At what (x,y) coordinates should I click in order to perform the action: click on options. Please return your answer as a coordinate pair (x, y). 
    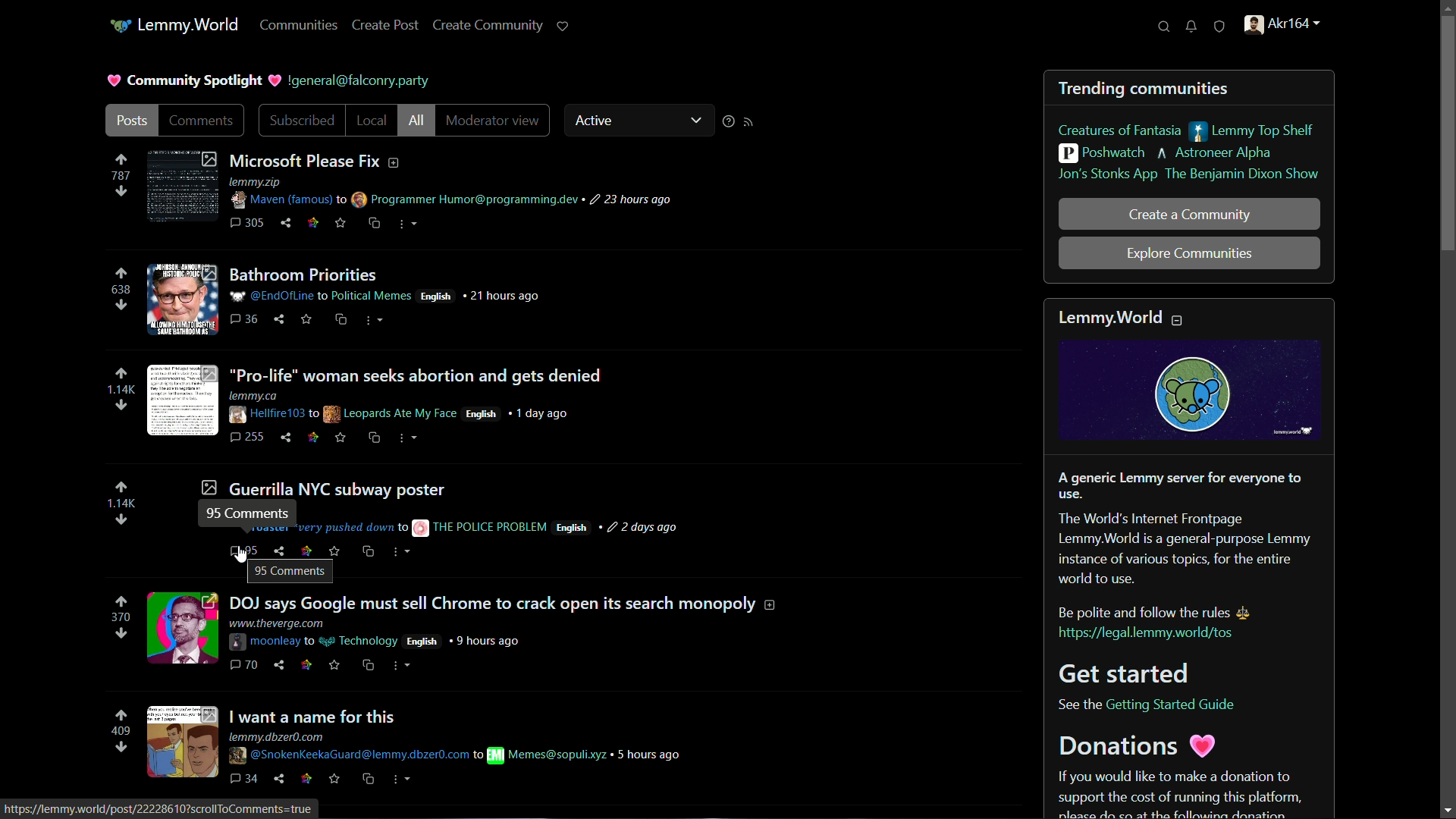
    Looking at the image, I should click on (403, 664).